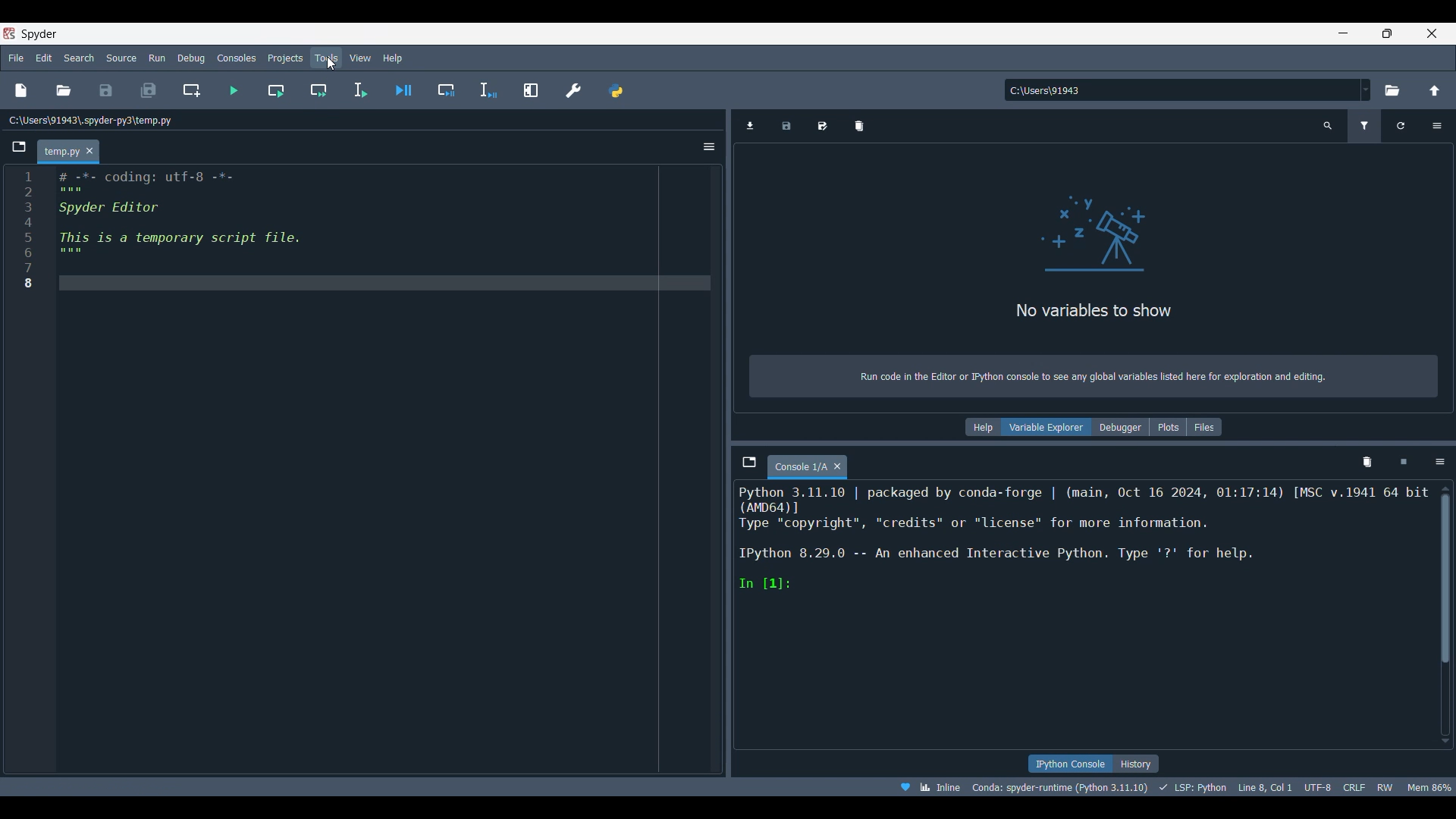  What do you see at coordinates (61, 152) in the screenshot?
I see `Current tab highlighted` at bounding box center [61, 152].